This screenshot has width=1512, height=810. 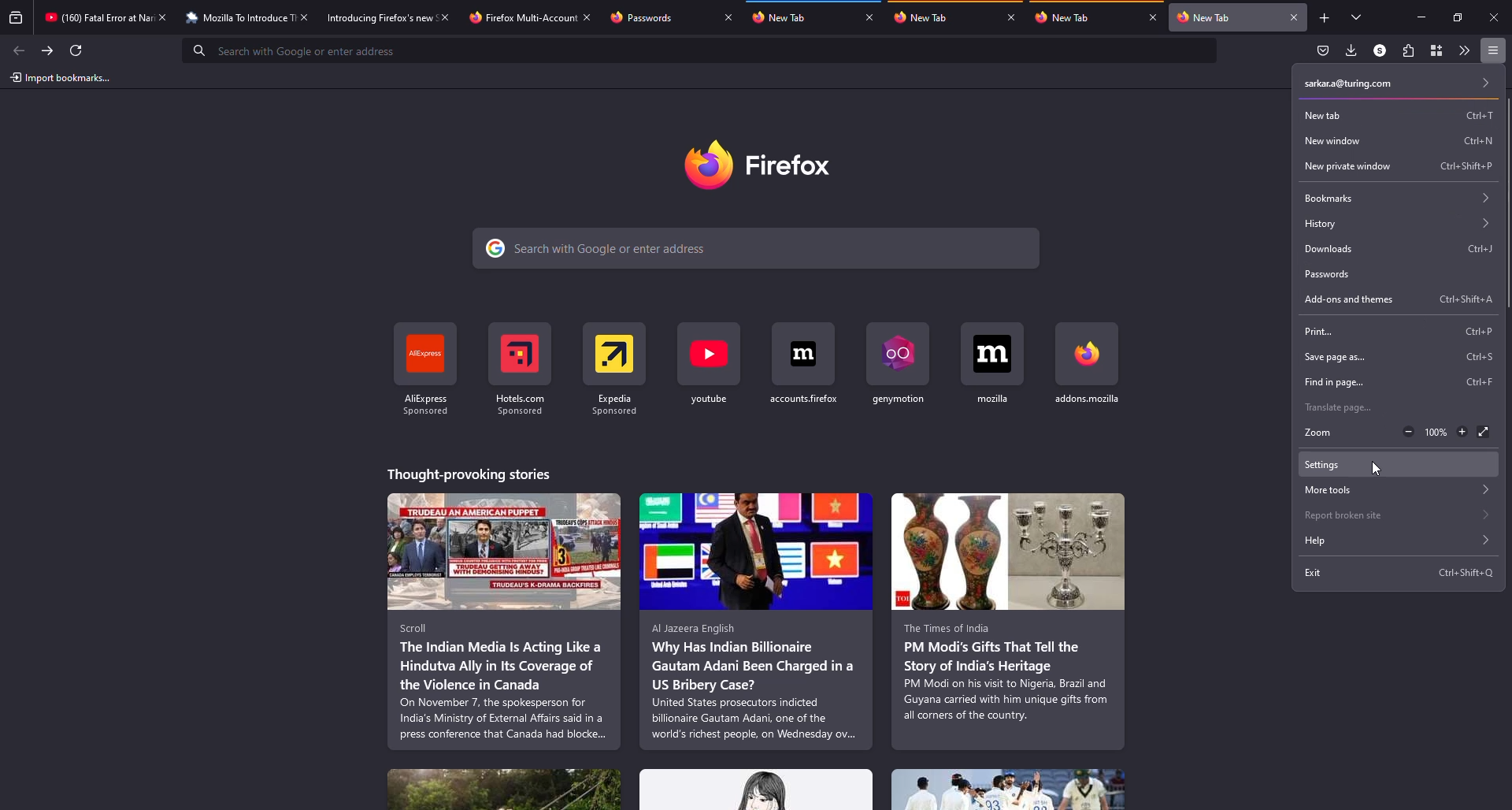 I want to click on shortcut, so click(x=428, y=371).